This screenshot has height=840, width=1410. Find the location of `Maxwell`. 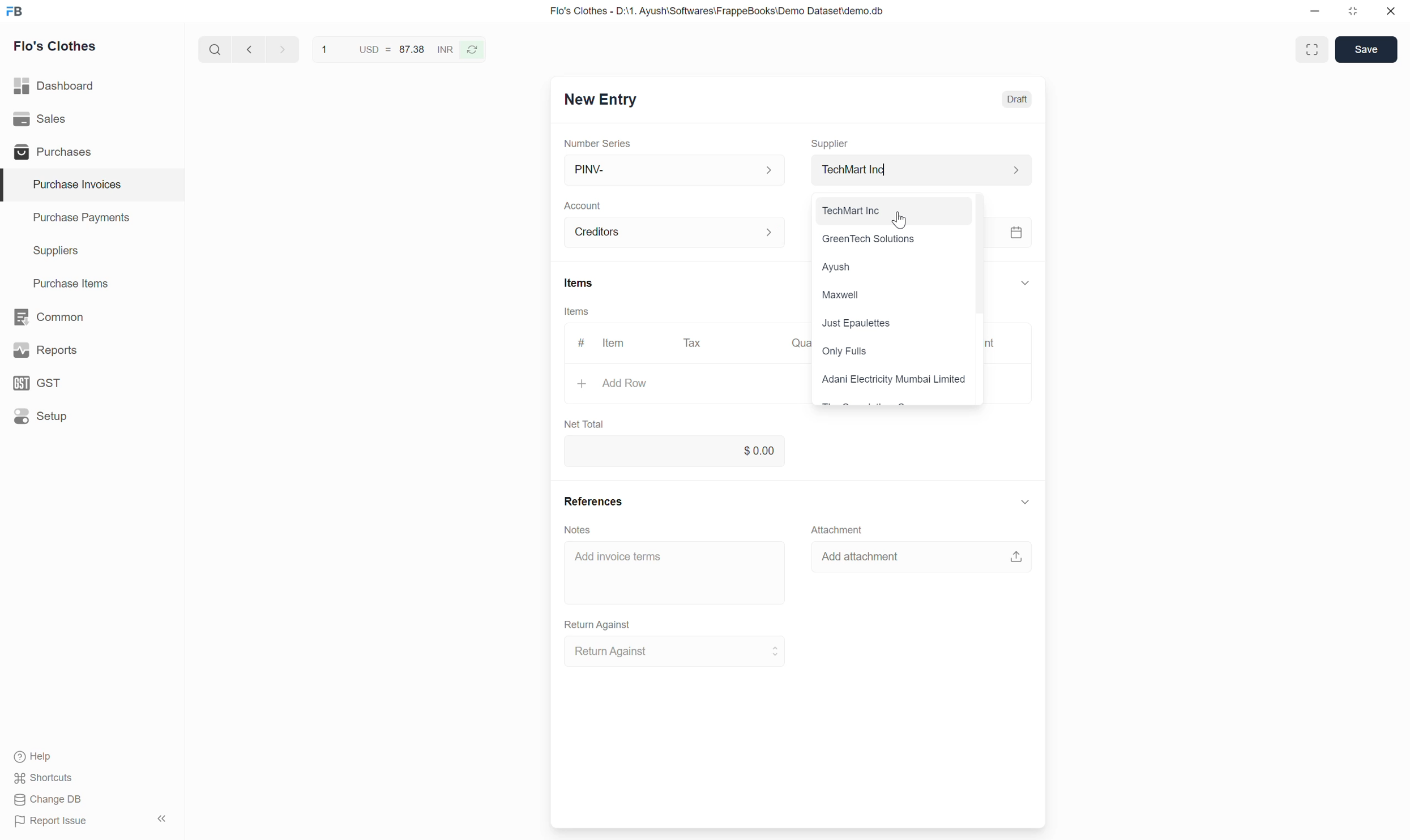

Maxwell is located at coordinates (846, 295).